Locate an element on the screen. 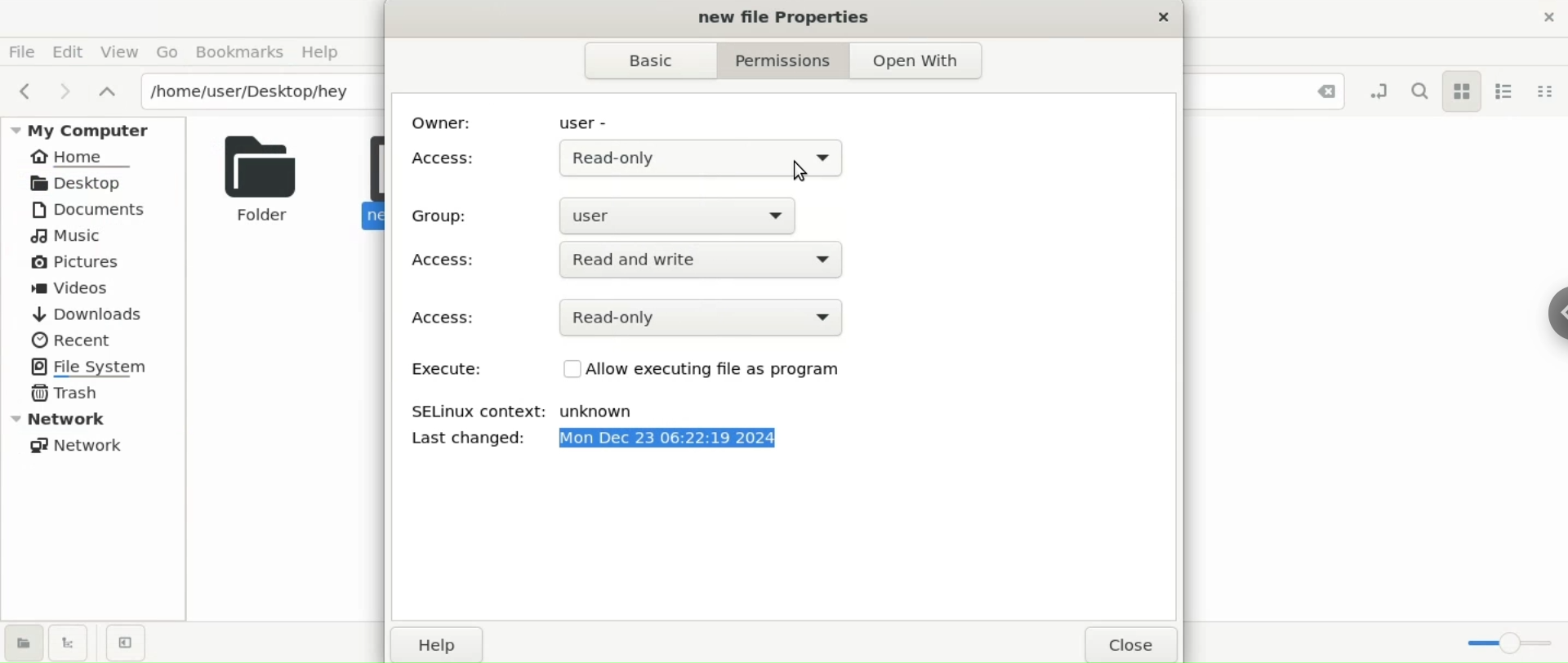 Image resolution: width=1568 pixels, height=663 pixels. SELinux context: unknown is located at coordinates (536, 412).